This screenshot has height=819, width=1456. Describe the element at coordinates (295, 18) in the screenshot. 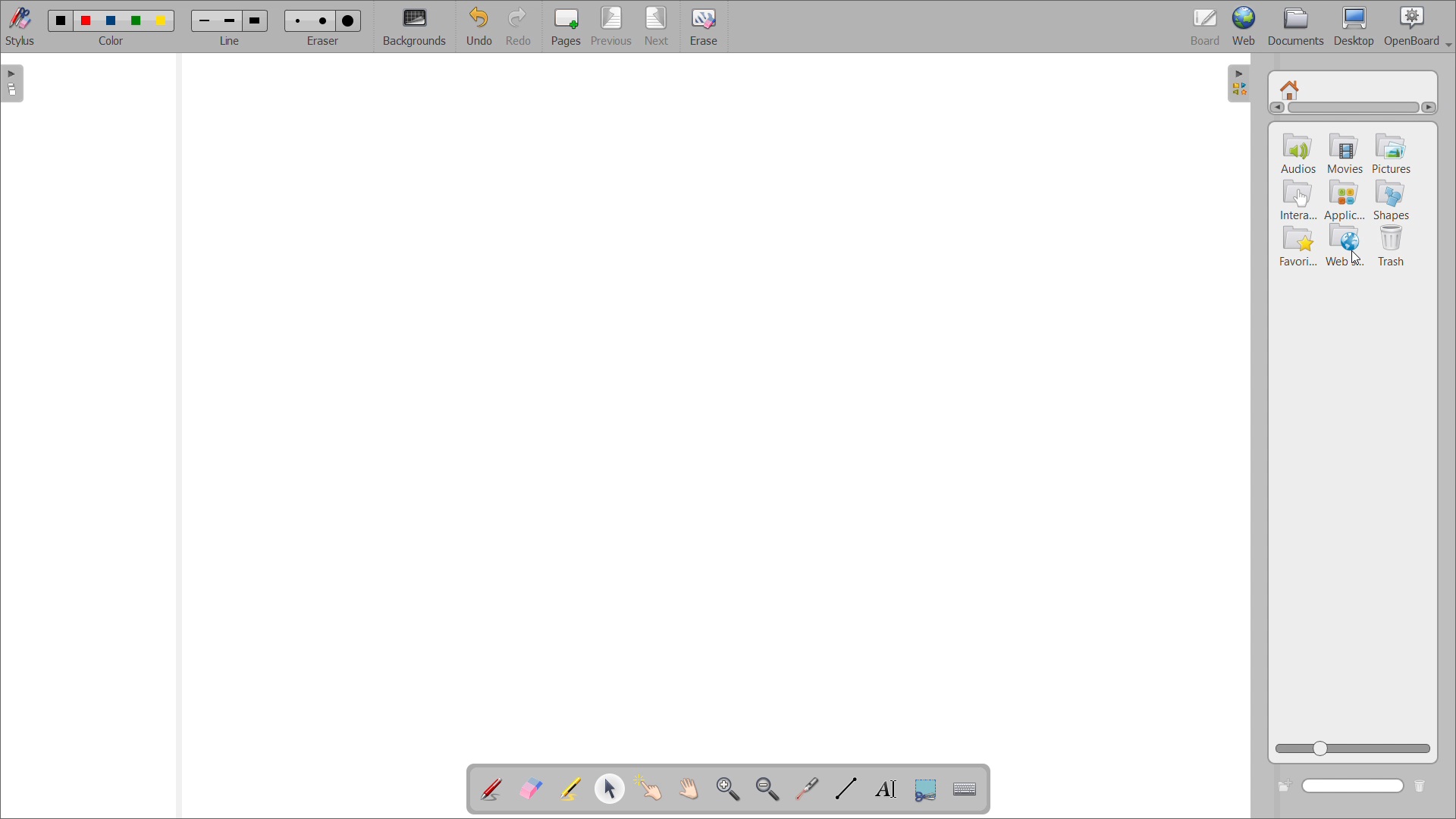

I see `Small erase` at that location.